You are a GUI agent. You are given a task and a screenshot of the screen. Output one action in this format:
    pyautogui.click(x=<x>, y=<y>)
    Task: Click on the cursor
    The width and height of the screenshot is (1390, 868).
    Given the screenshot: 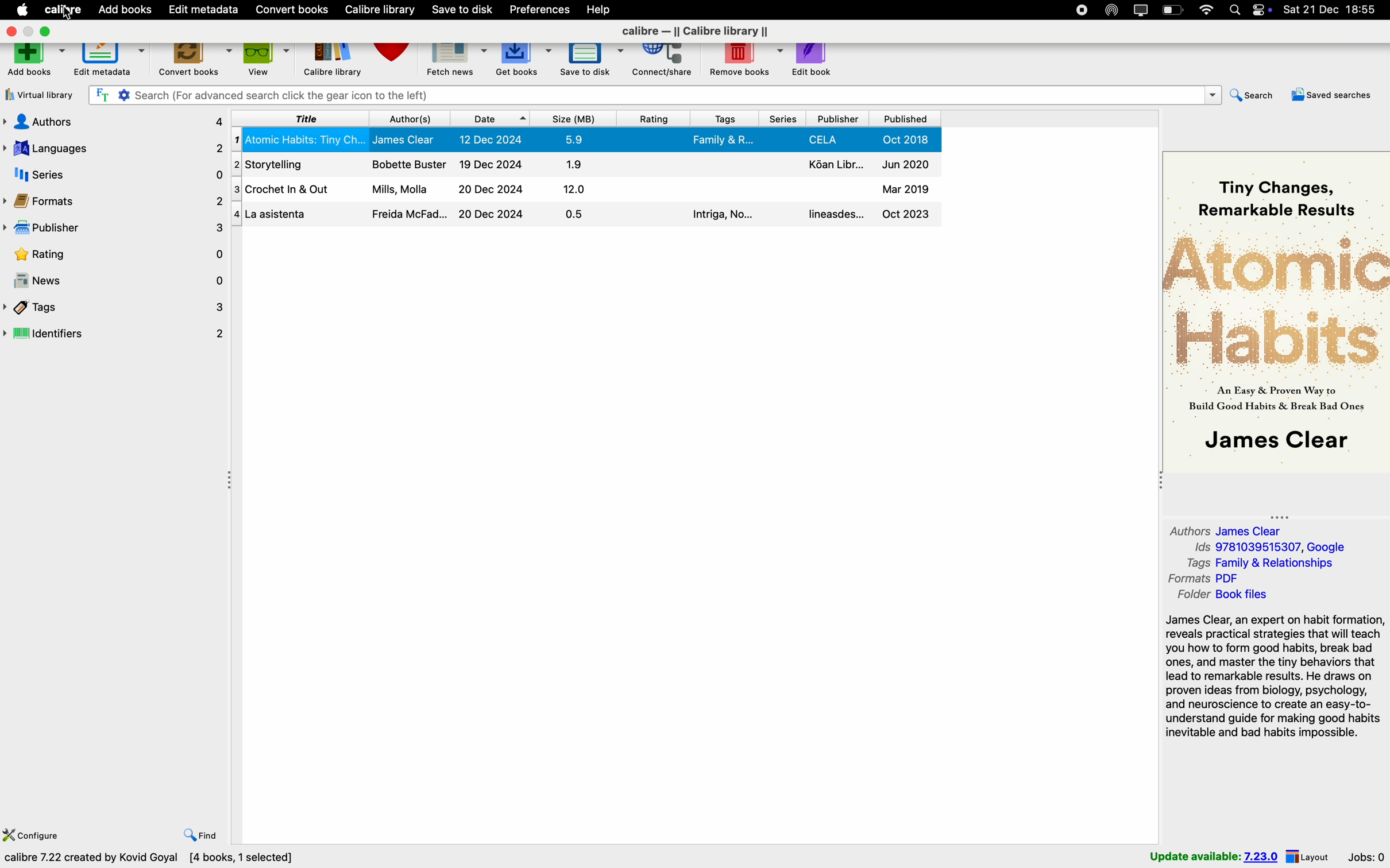 What is the action you would take?
    pyautogui.click(x=71, y=14)
    